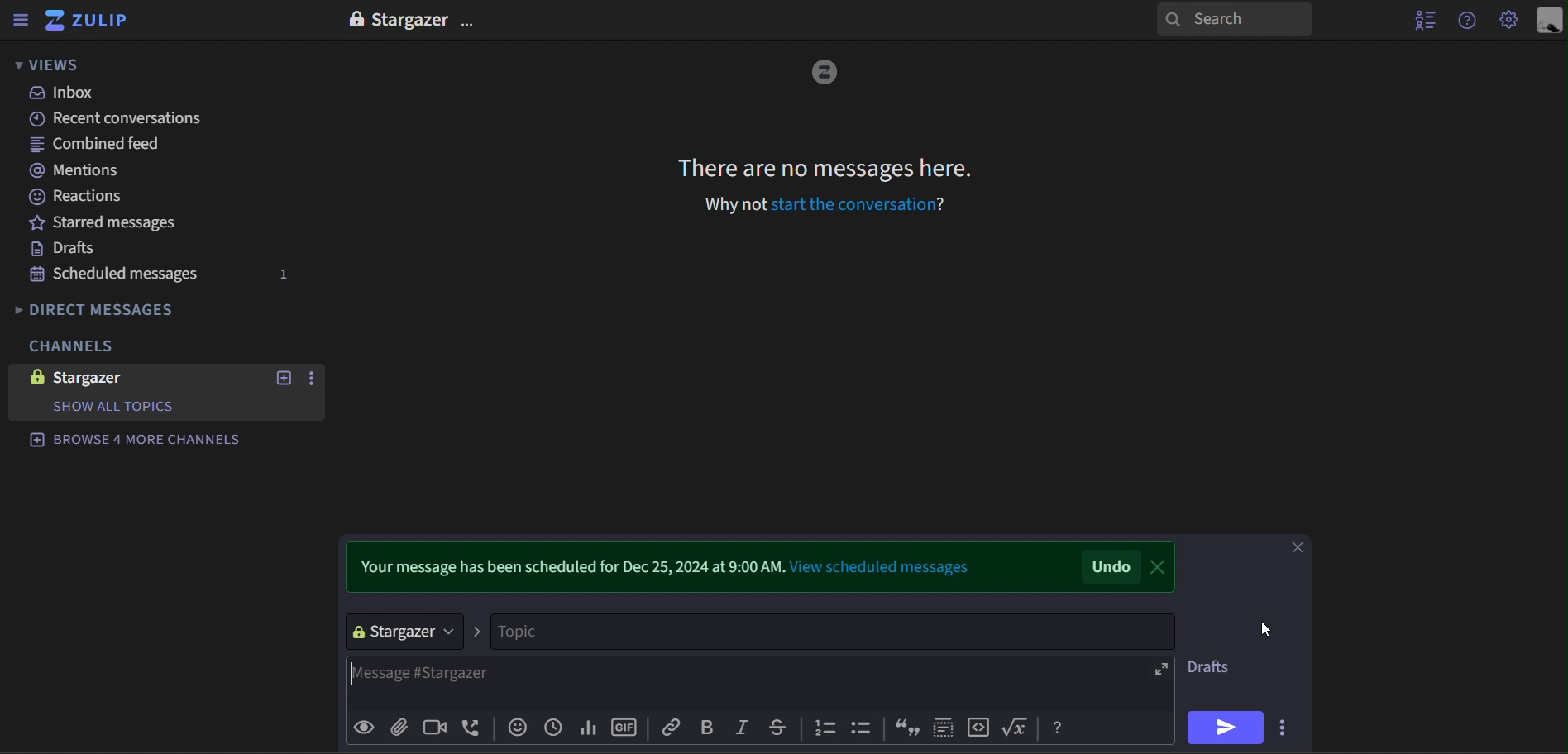 This screenshot has height=754, width=1568. Describe the element at coordinates (1160, 669) in the screenshot. I see `expand ` at that location.